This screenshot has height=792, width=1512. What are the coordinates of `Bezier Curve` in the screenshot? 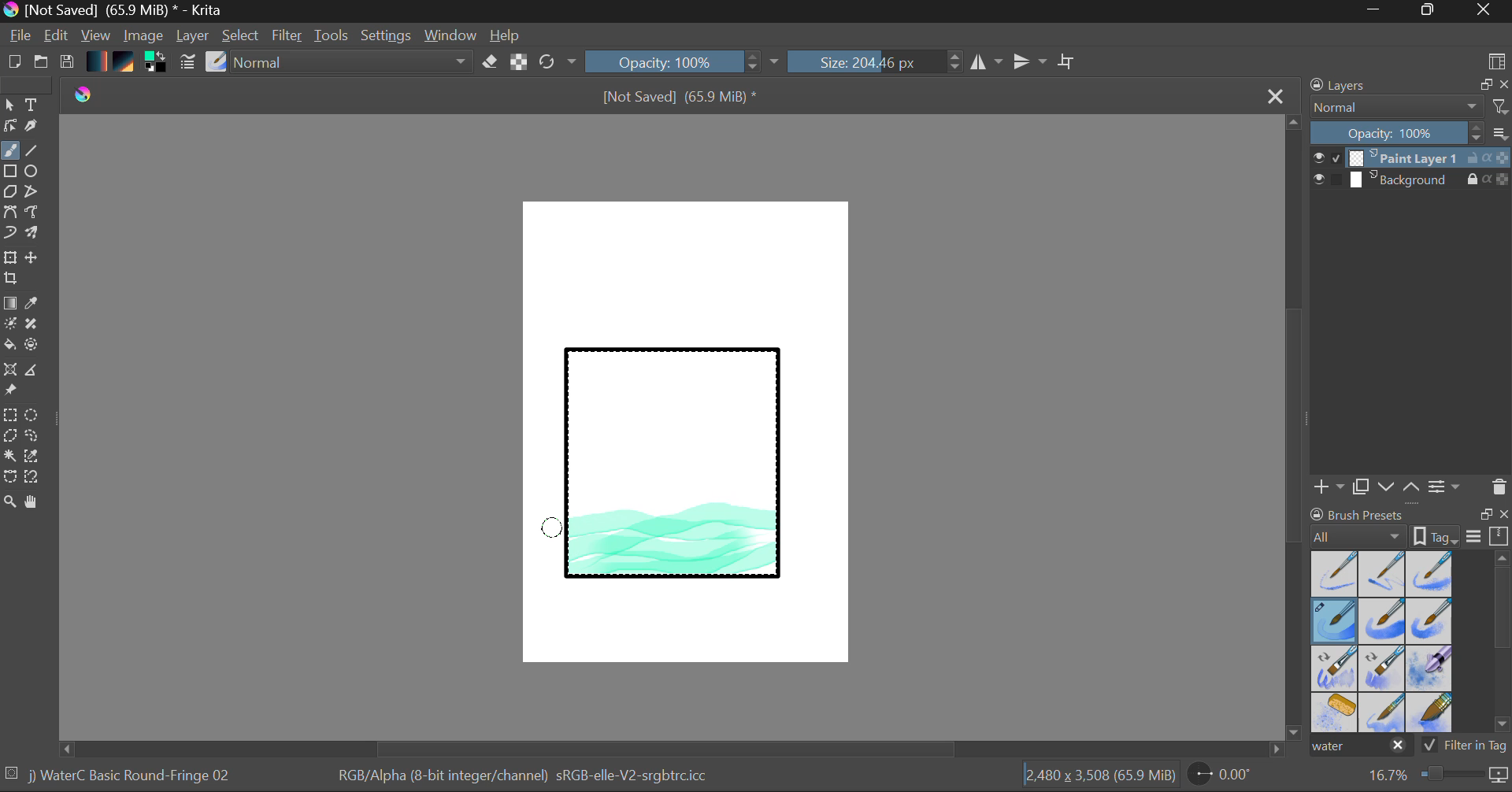 It's located at (9, 213).